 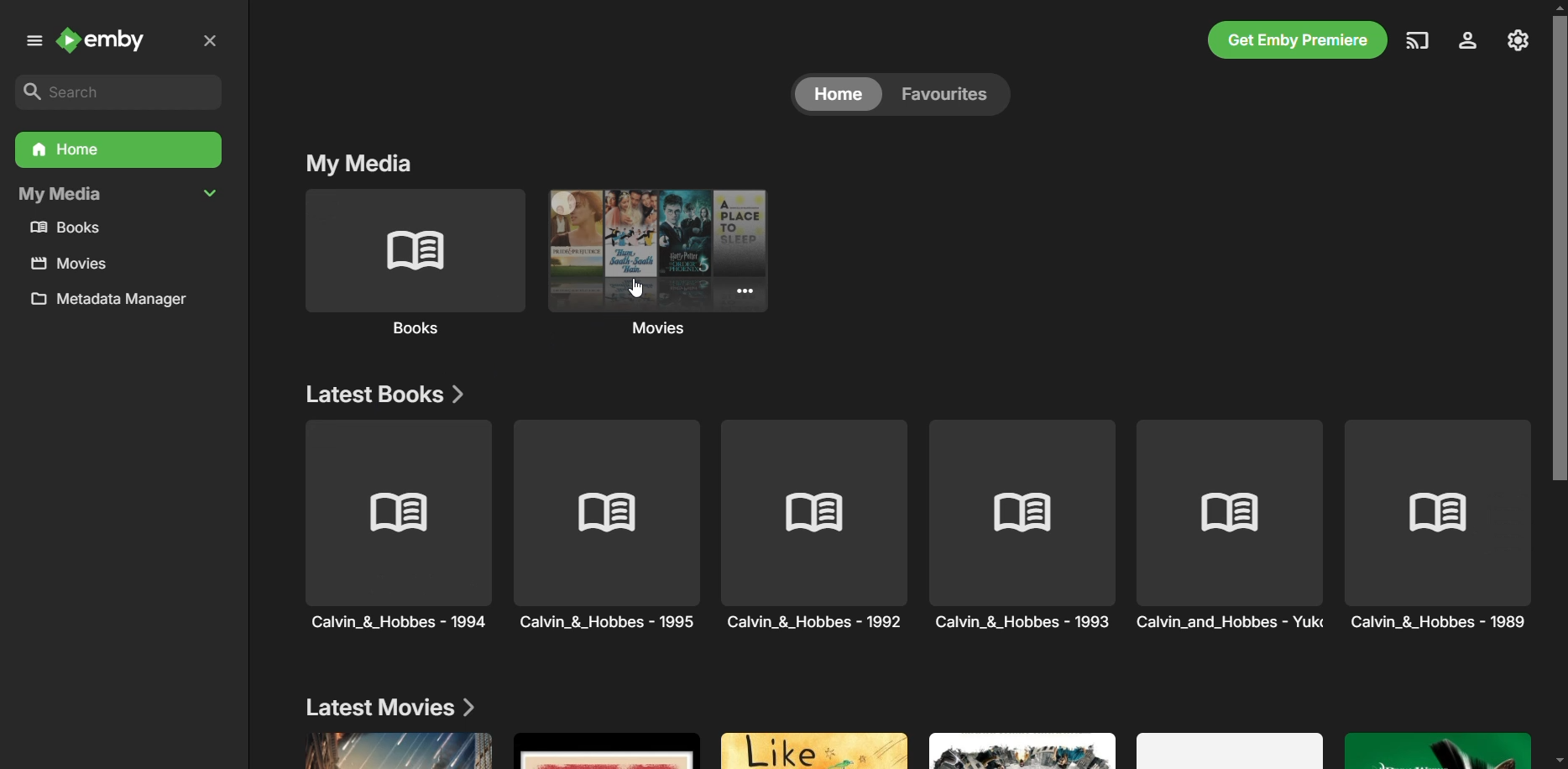 What do you see at coordinates (608, 525) in the screenshot?
I see `` at bounding box center [608, 525].